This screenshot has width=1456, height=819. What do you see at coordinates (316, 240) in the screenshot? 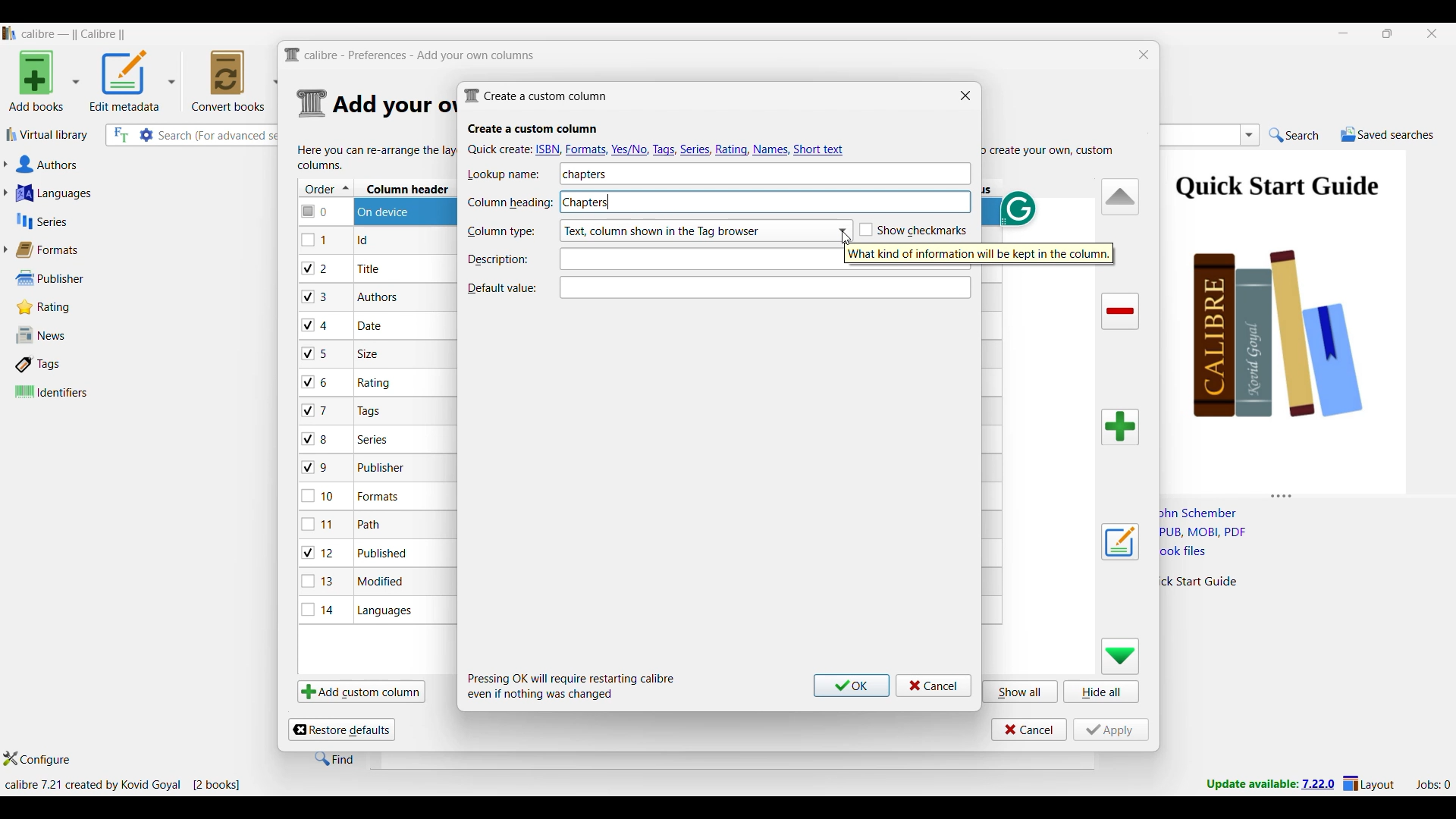
I see `checkbox - 1` at bounding box center [316, 240].